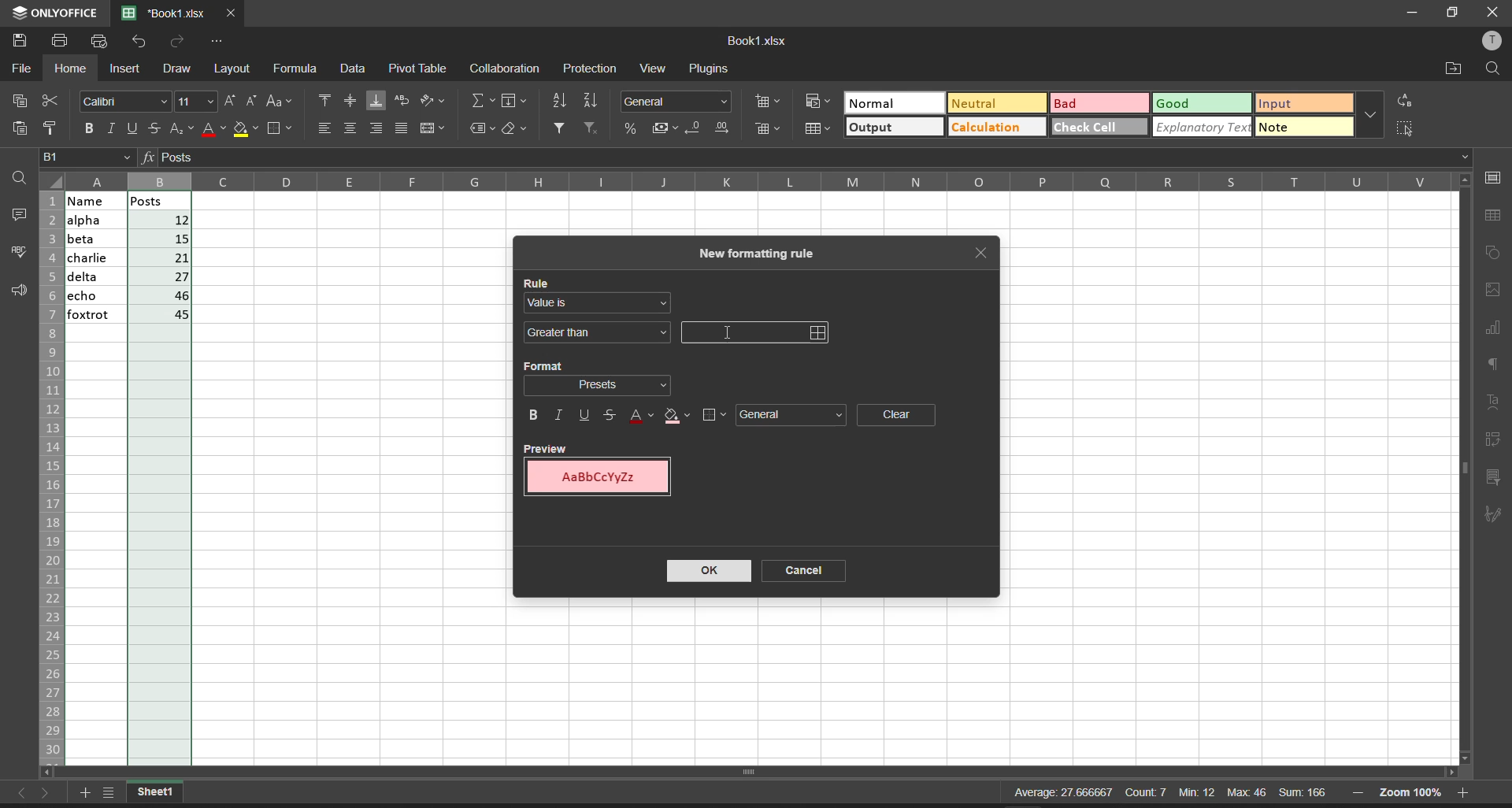 This screenshot has height=808, width=1512. What do you see at coordinates (61, 42) in the screenshot?
I see `print` at bounding box center [61, 42].